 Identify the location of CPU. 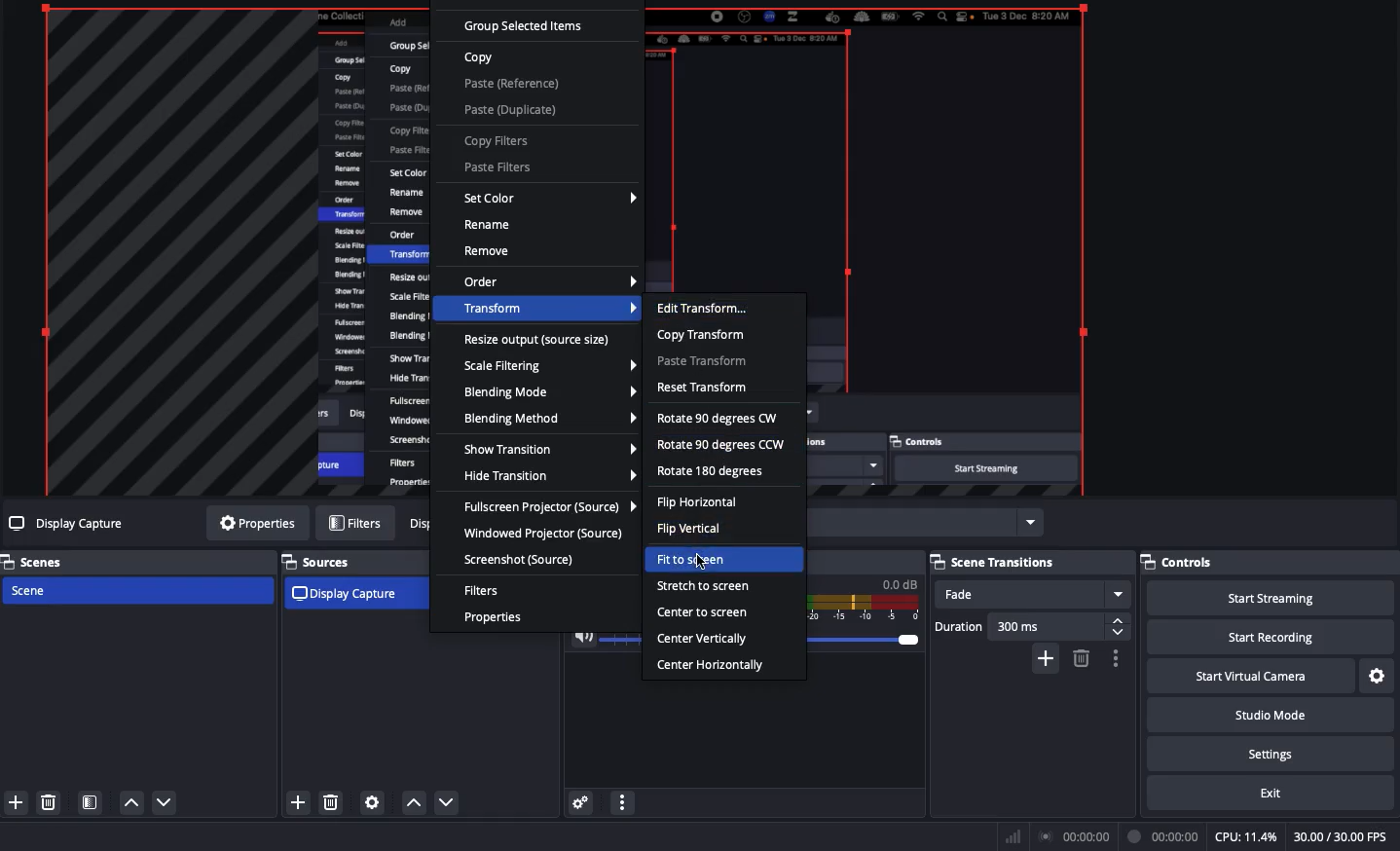
(1245, 837).